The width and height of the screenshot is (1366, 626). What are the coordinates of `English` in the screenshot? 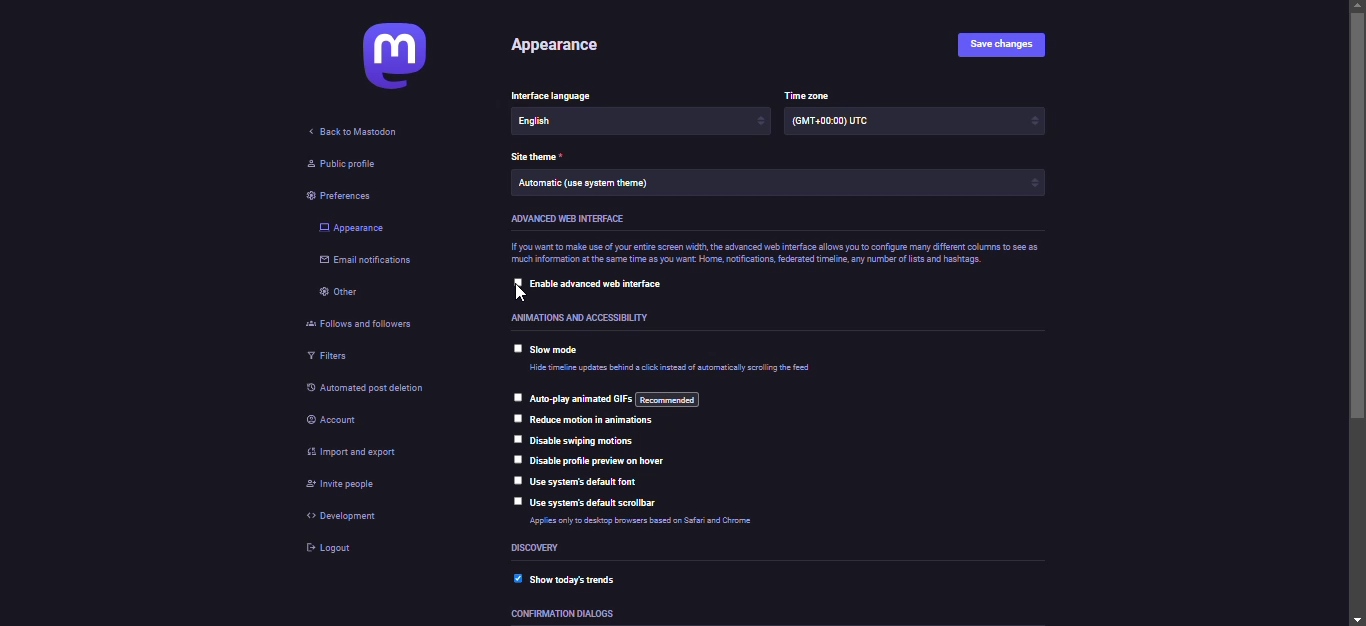 It's located at (624, 121).